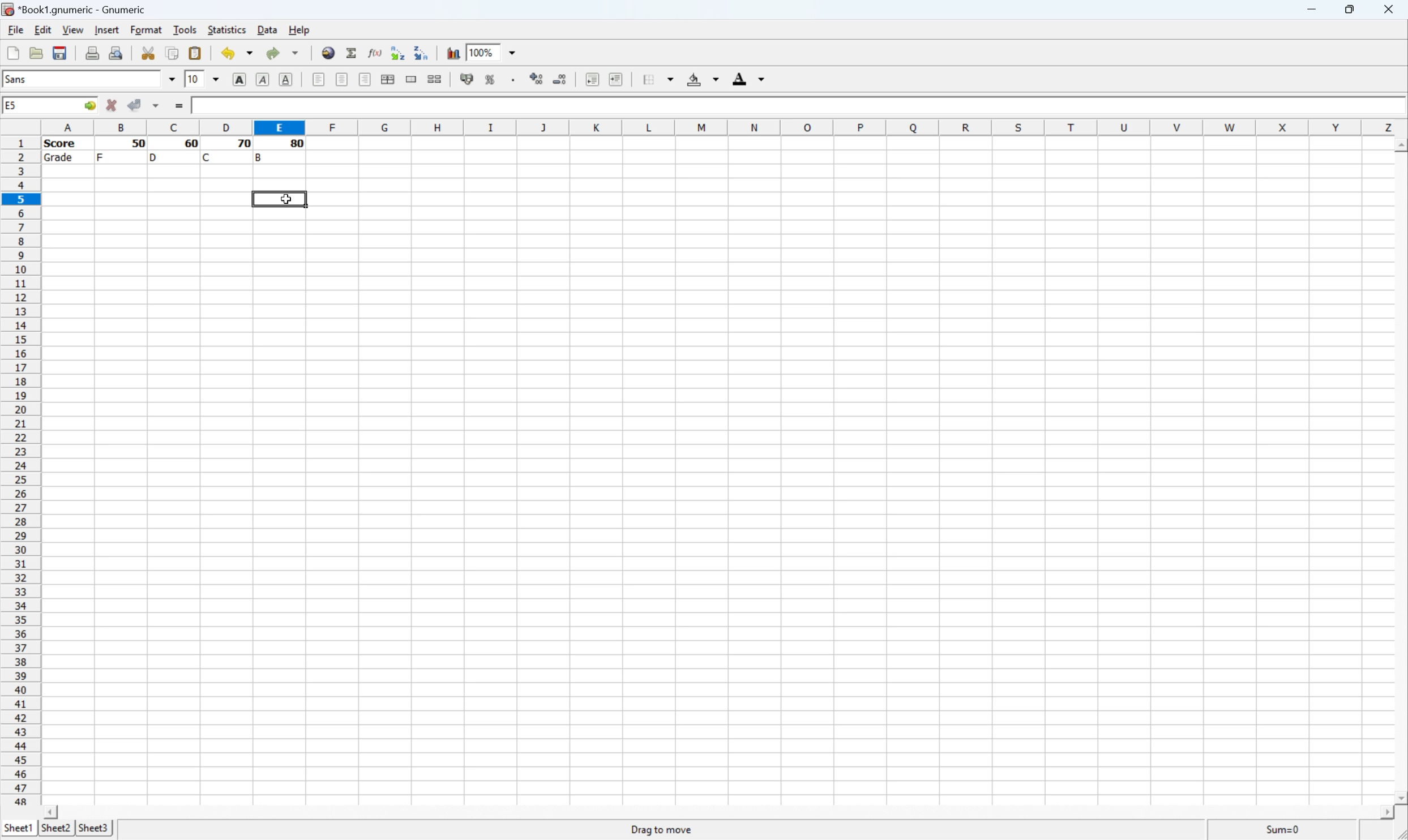 The image size is (1408, 840). What do you see at coordinates (706, 79) in the screenshot?
I see `Background` at bounding box center [706, 79].